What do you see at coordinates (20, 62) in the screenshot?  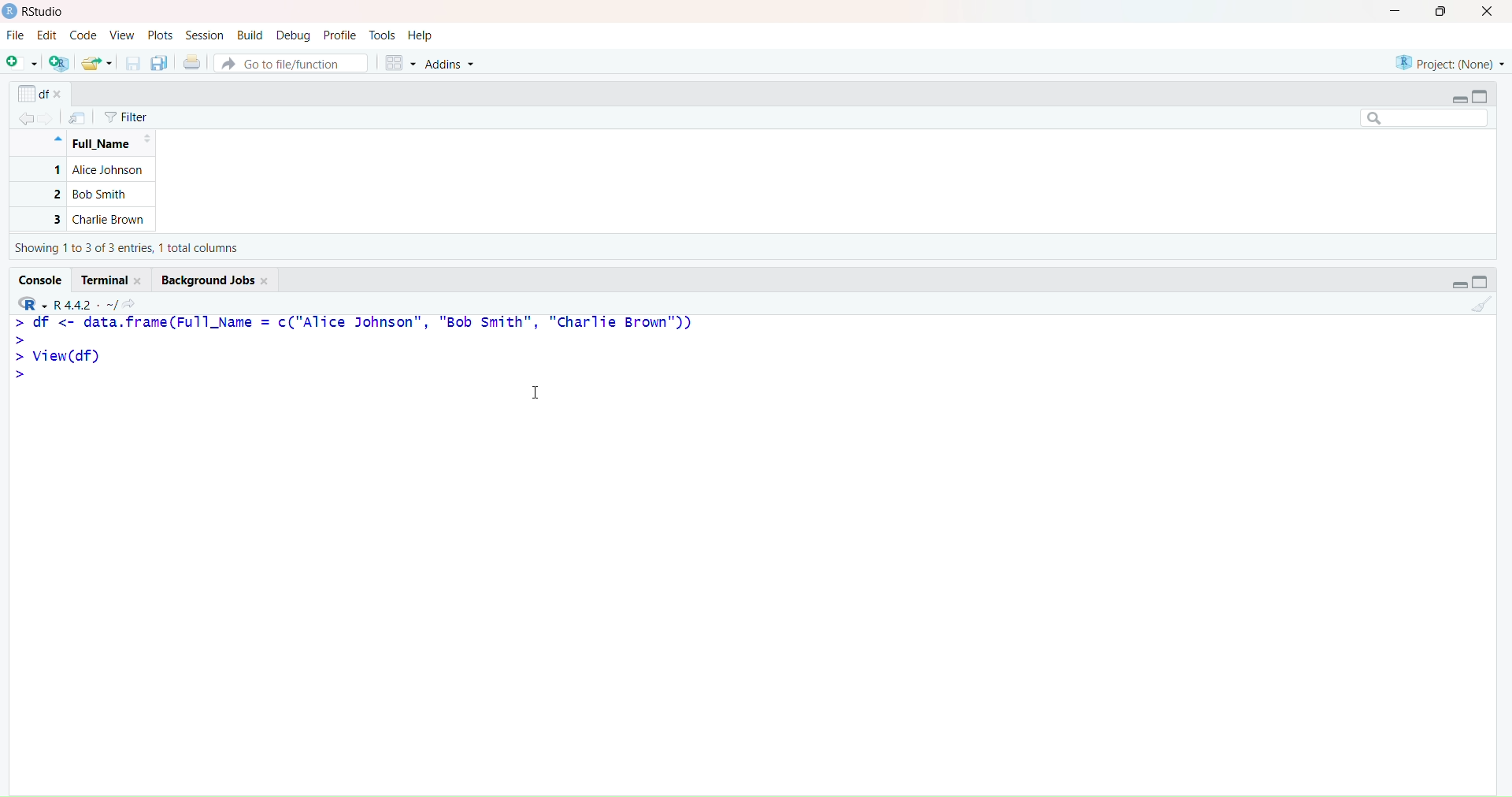 I see `New File` at bounding box center [20, 62].